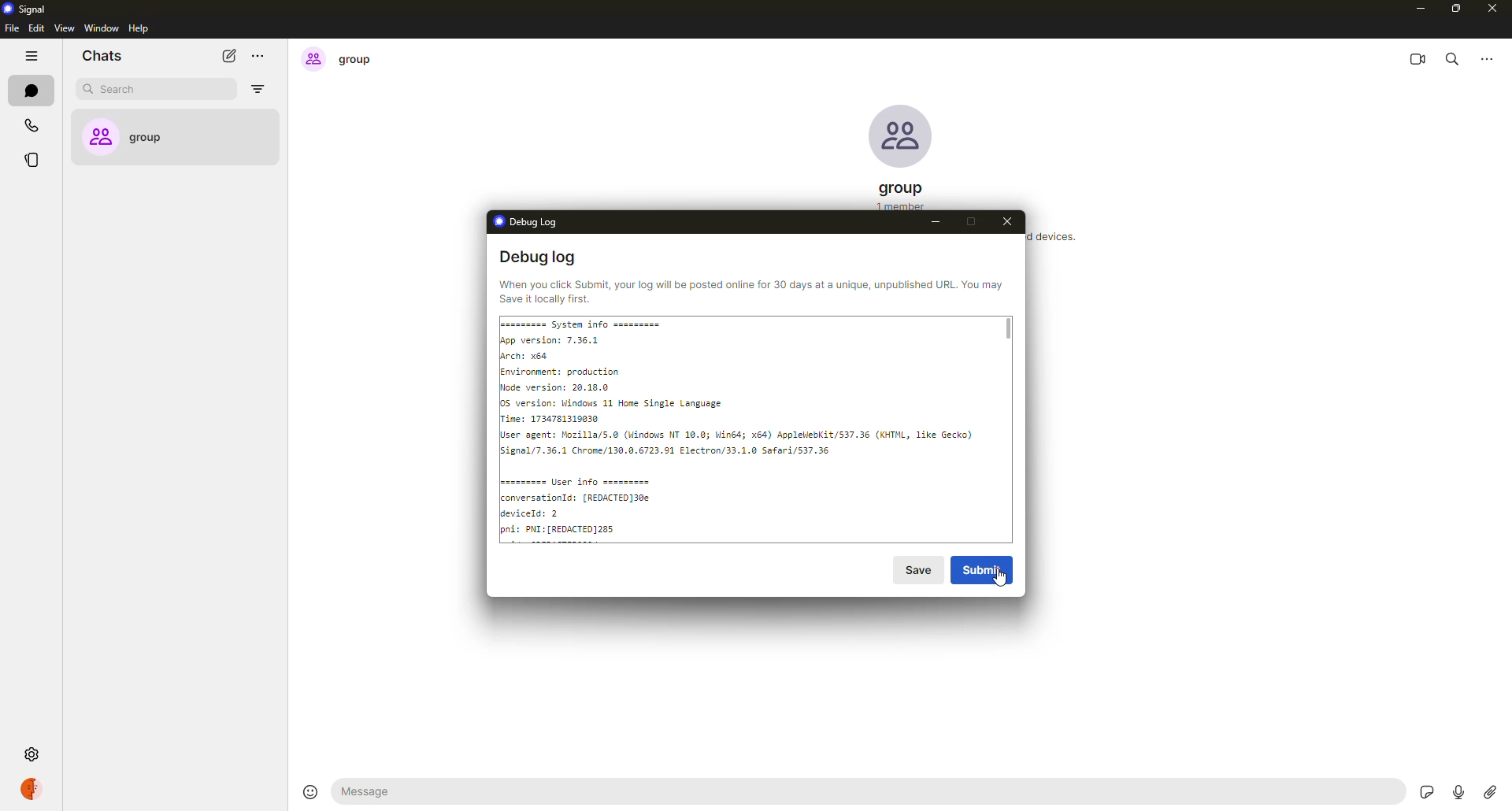 The image size is (1512, 811). I want to click on edit, so click(35, 29).